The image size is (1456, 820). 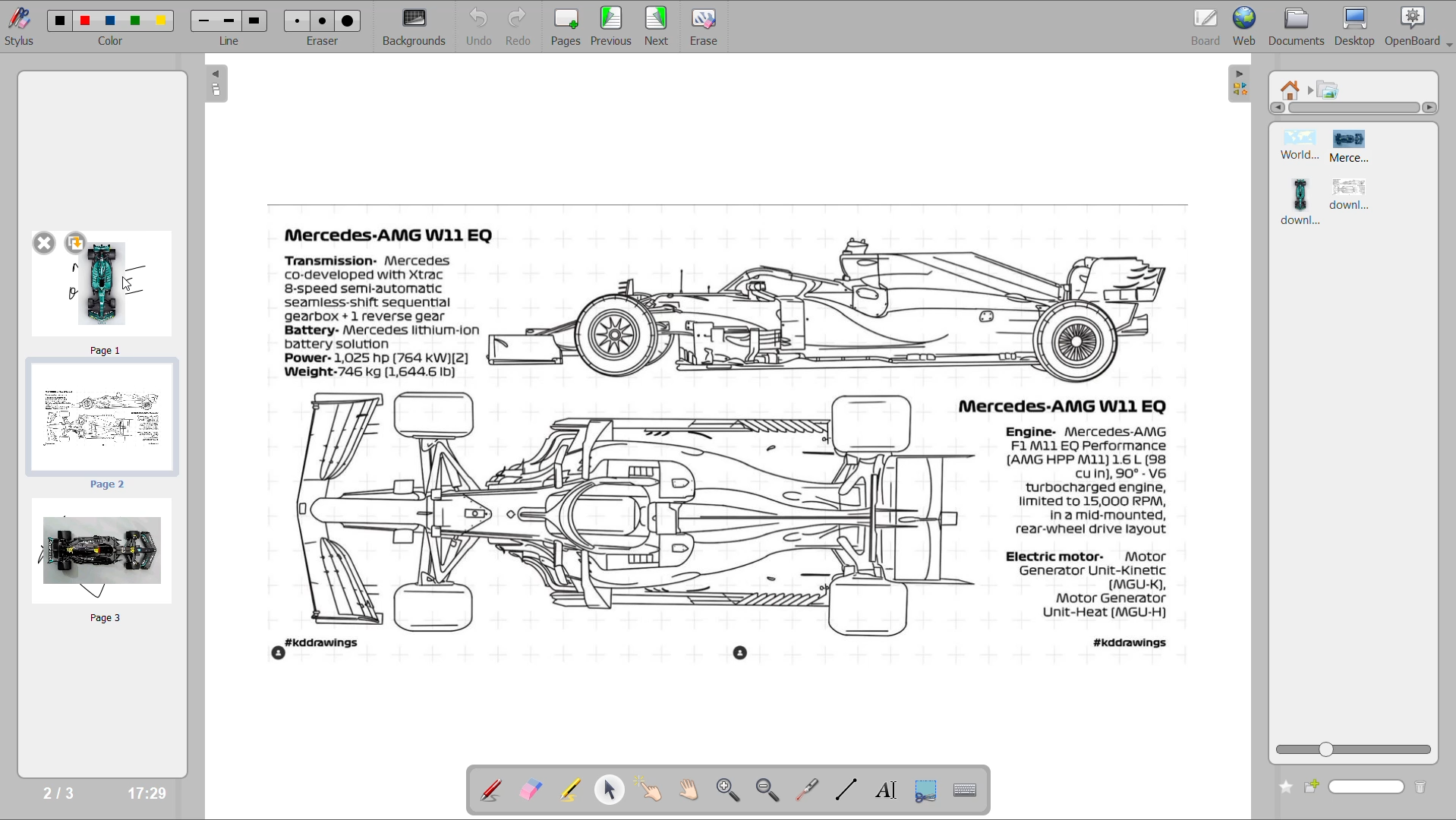 I want to click on redo, so click(x=522, y=27).